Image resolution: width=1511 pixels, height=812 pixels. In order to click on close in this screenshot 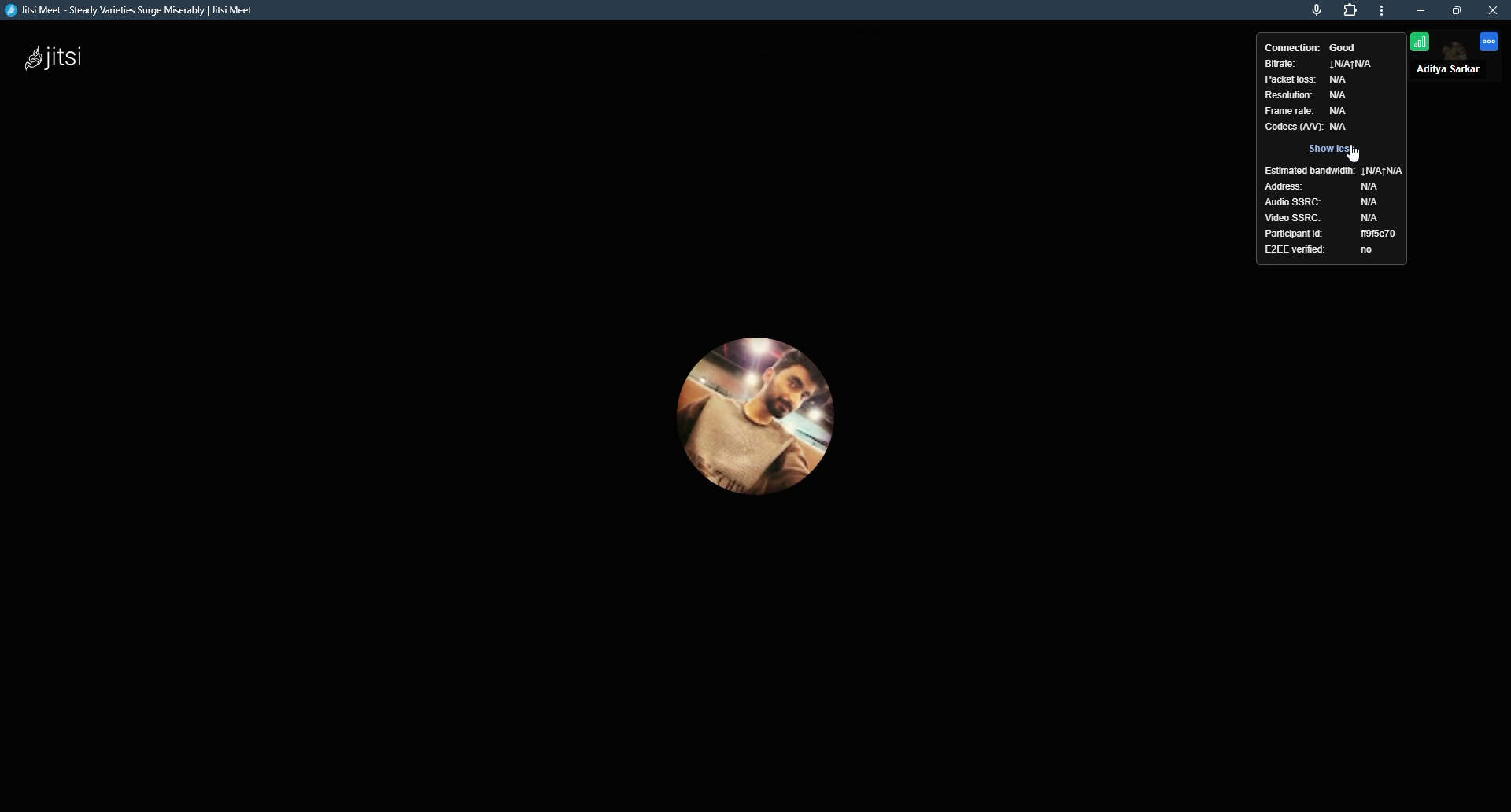, I will do `click(1495, 11)`.